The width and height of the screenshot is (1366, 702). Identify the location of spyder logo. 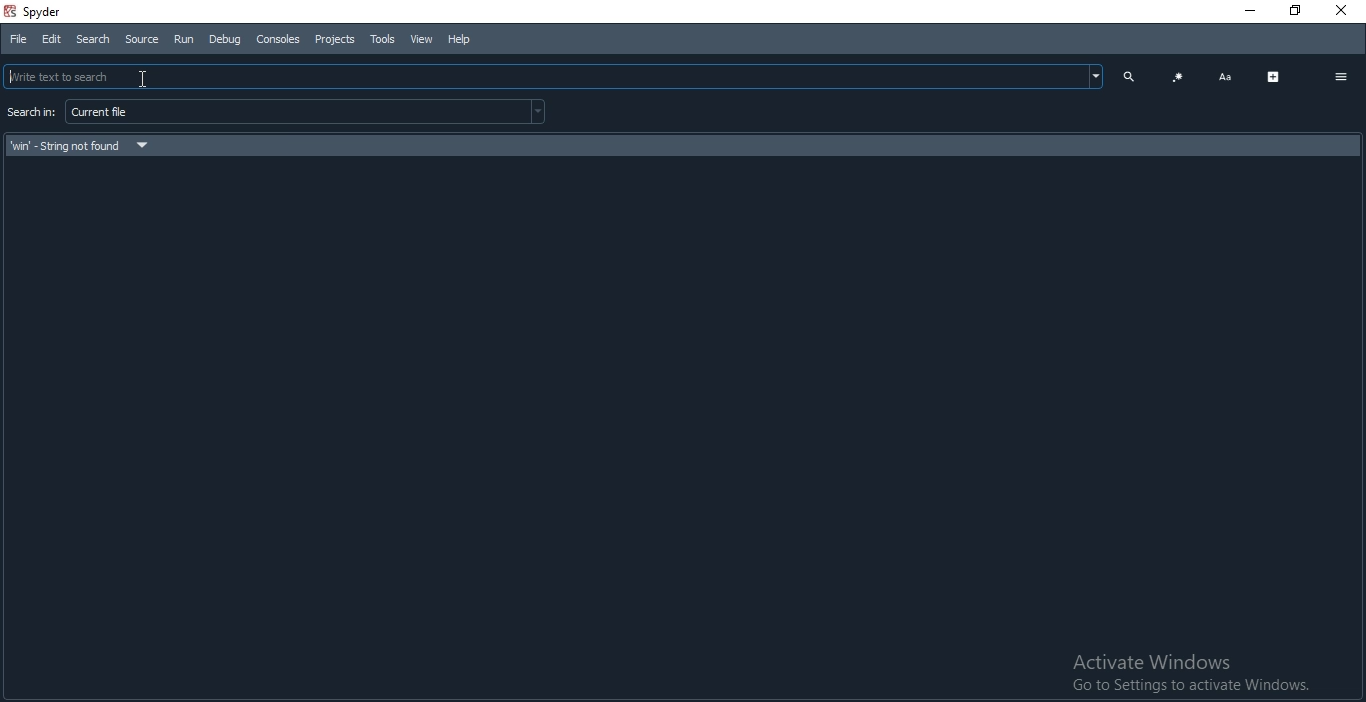
(9, 10).